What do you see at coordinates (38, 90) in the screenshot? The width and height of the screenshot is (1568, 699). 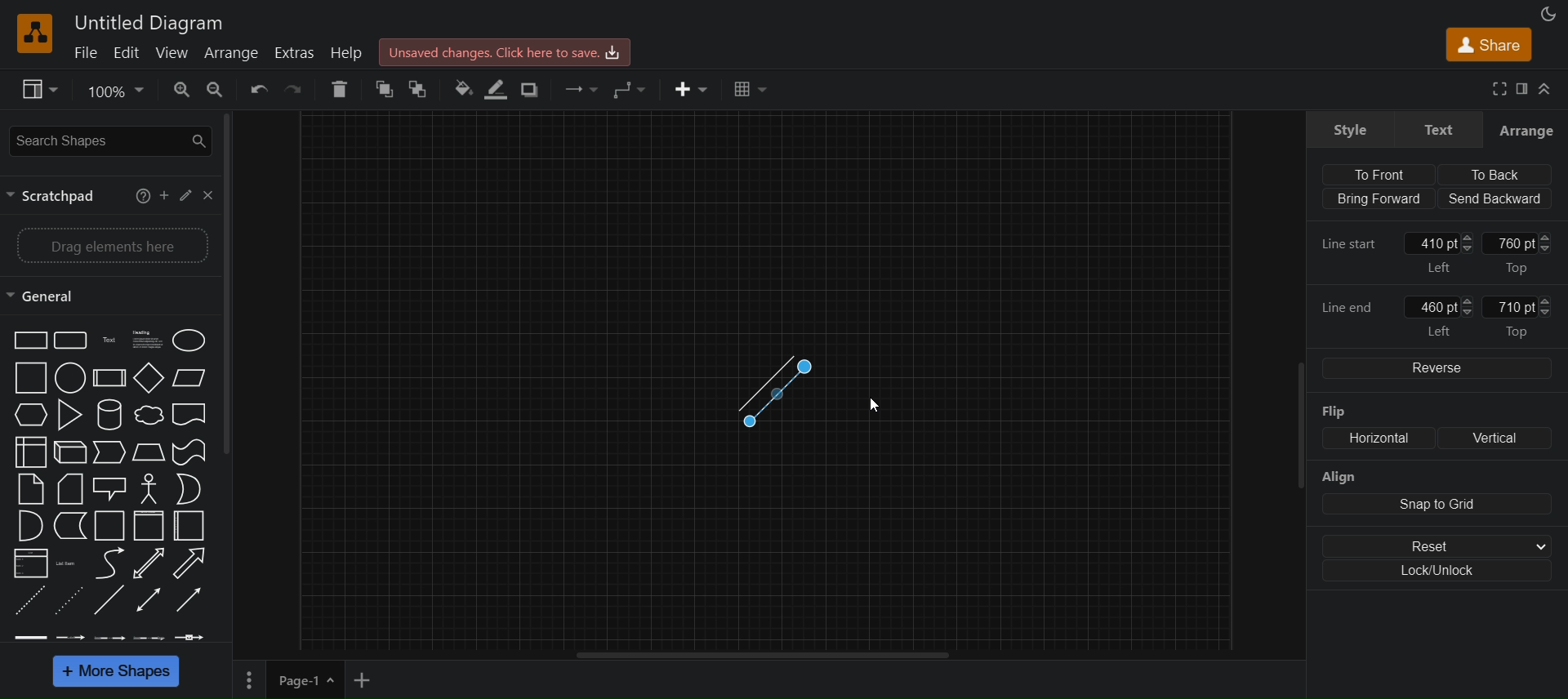 I see `view` at bounding box center [38, 90].